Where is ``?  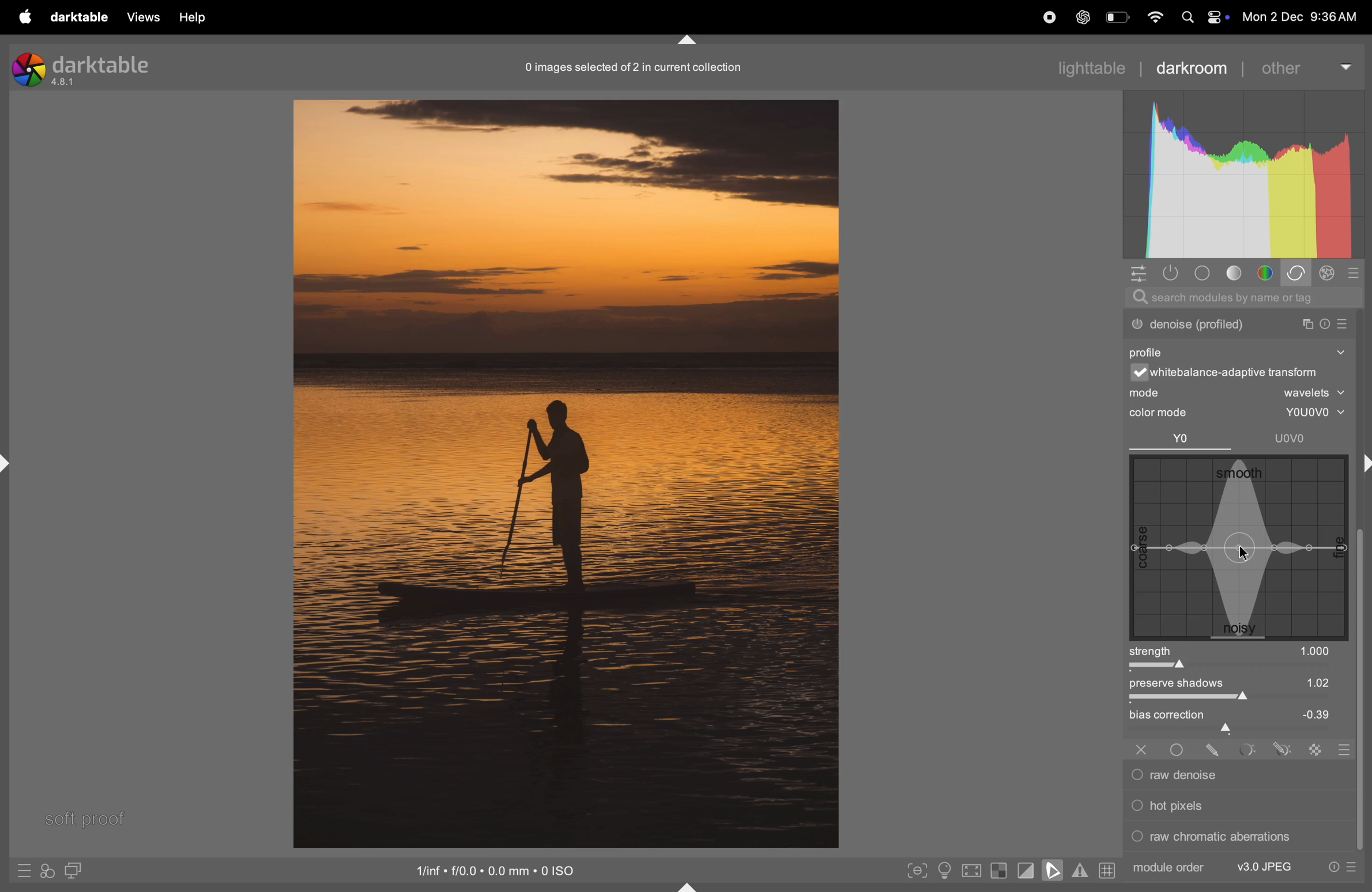  is located at coordinates (1214, 748).